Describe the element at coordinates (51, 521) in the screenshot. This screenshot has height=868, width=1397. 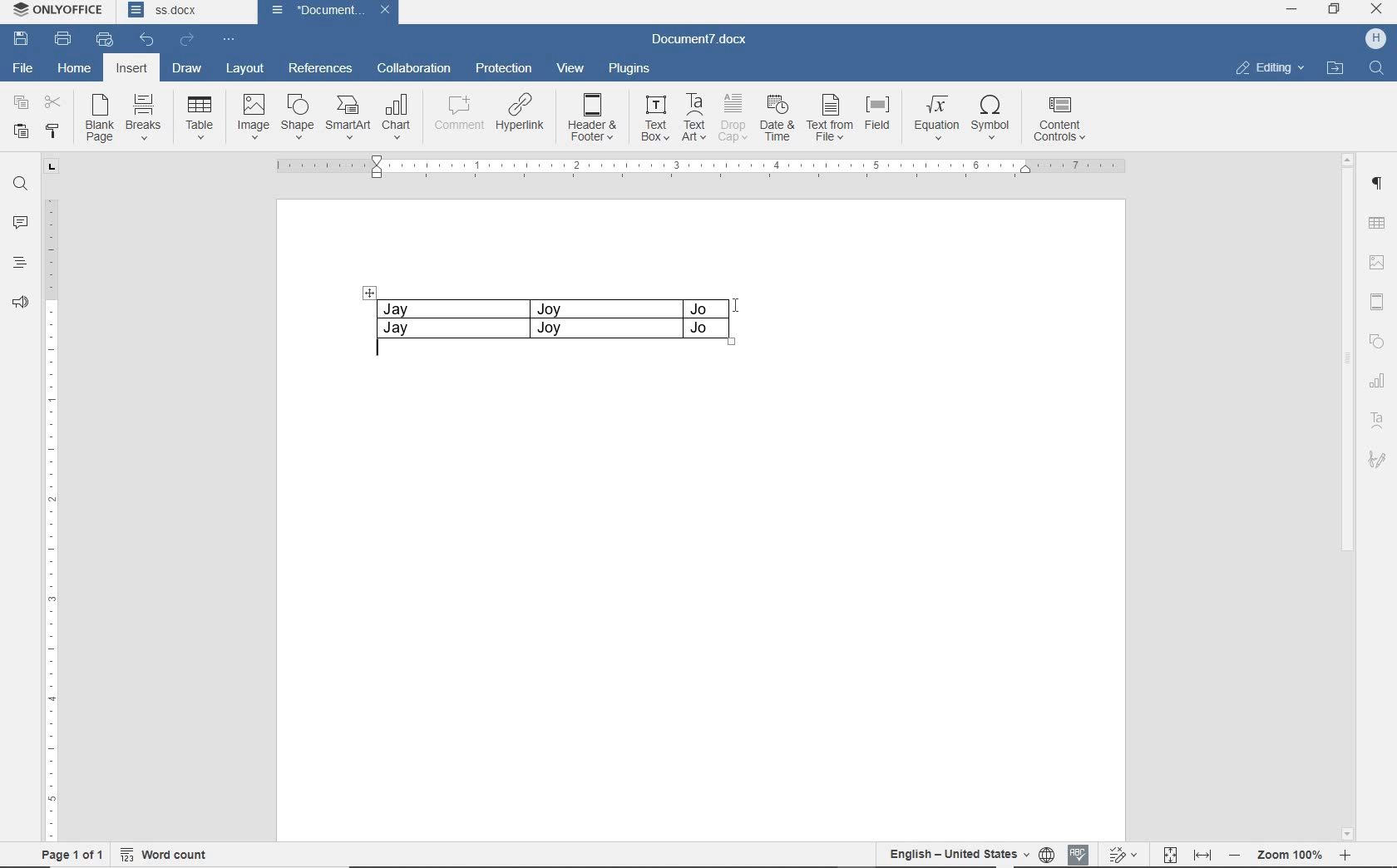
I see `RULER` at that location.